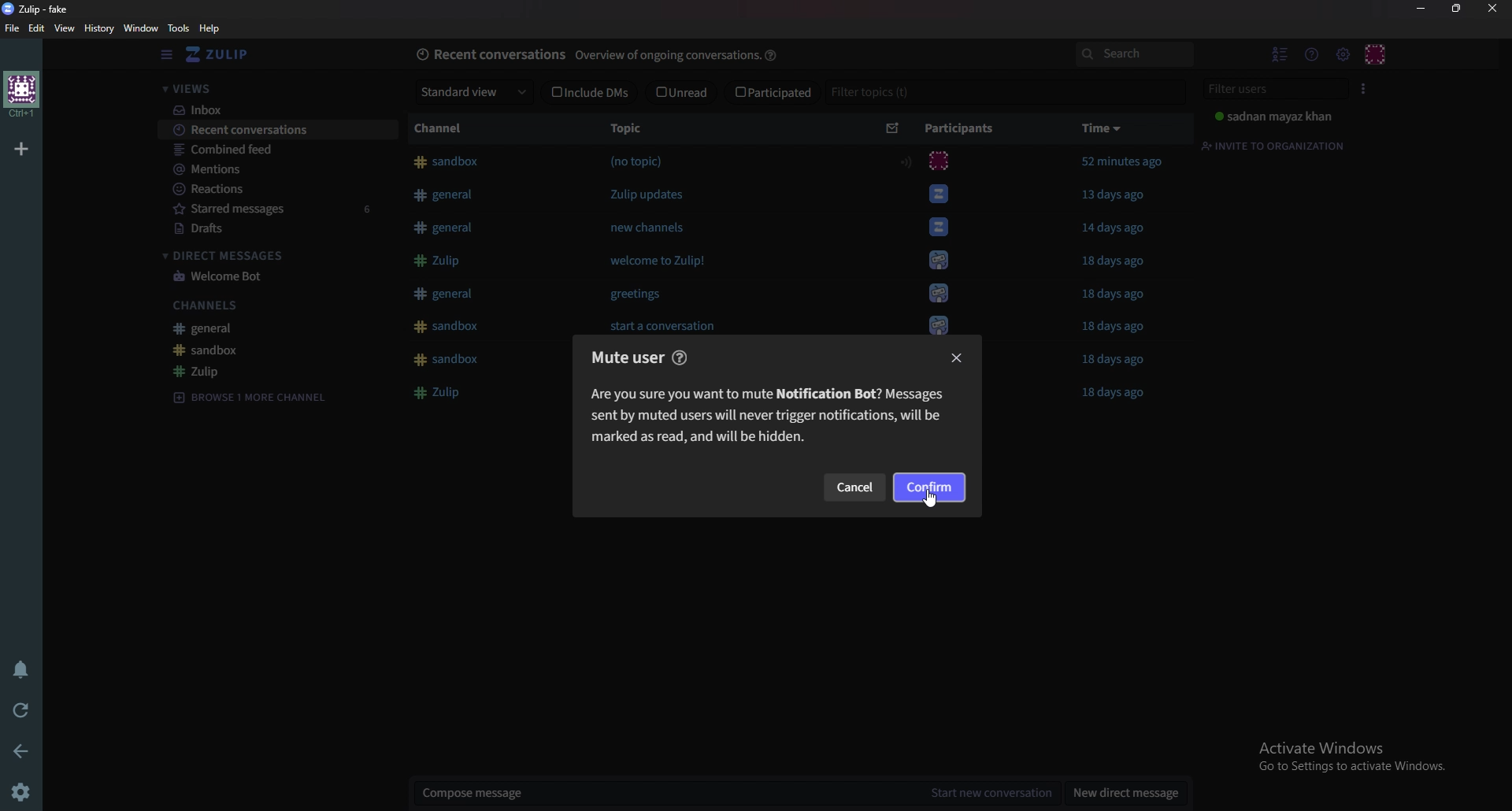  What do you see at coordinates (939, 324) in the screenshot?
I see `icon` at bounding box center [939, 324].